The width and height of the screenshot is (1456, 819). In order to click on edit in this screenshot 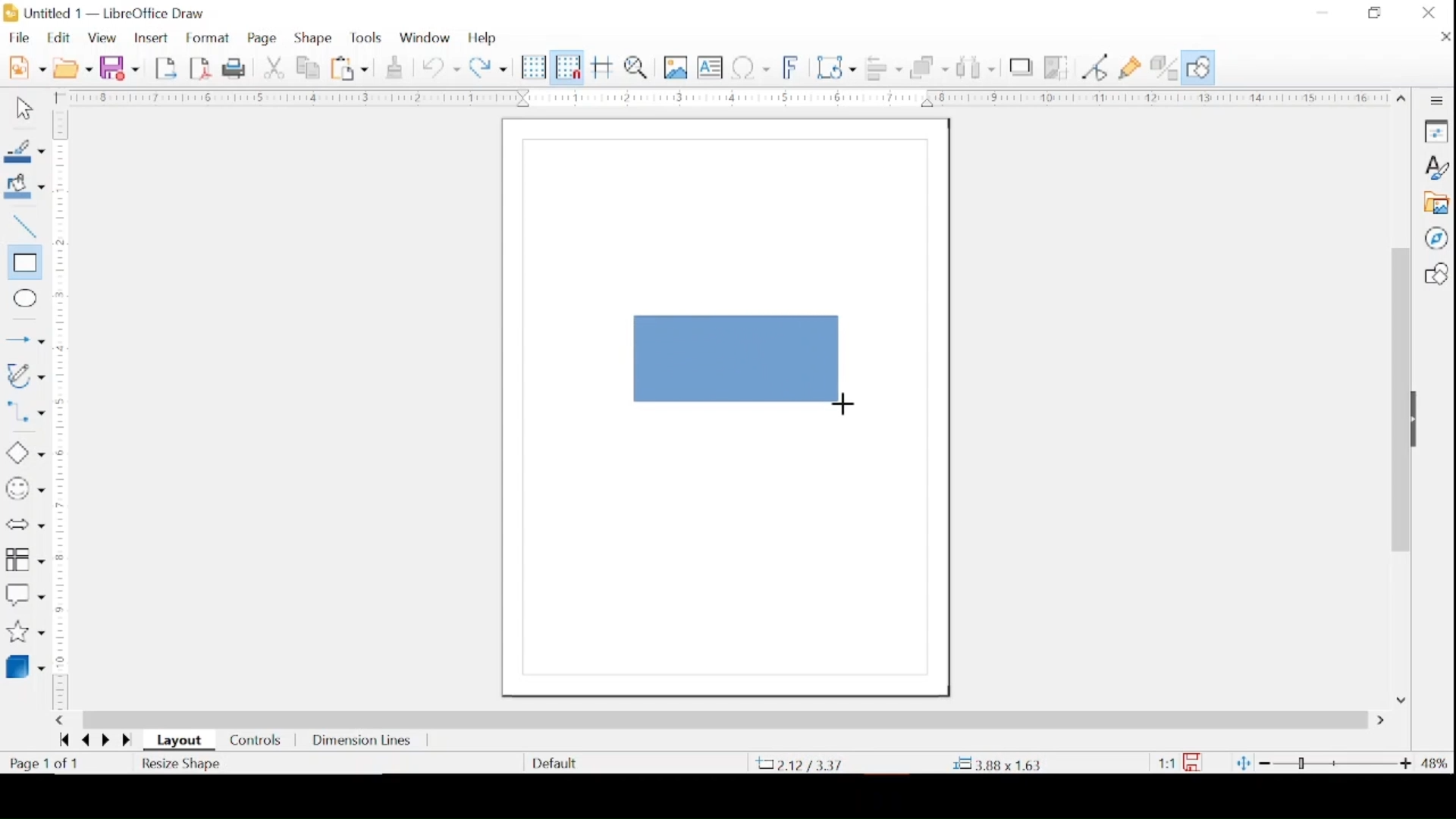, I will do `click(61, 37)`.